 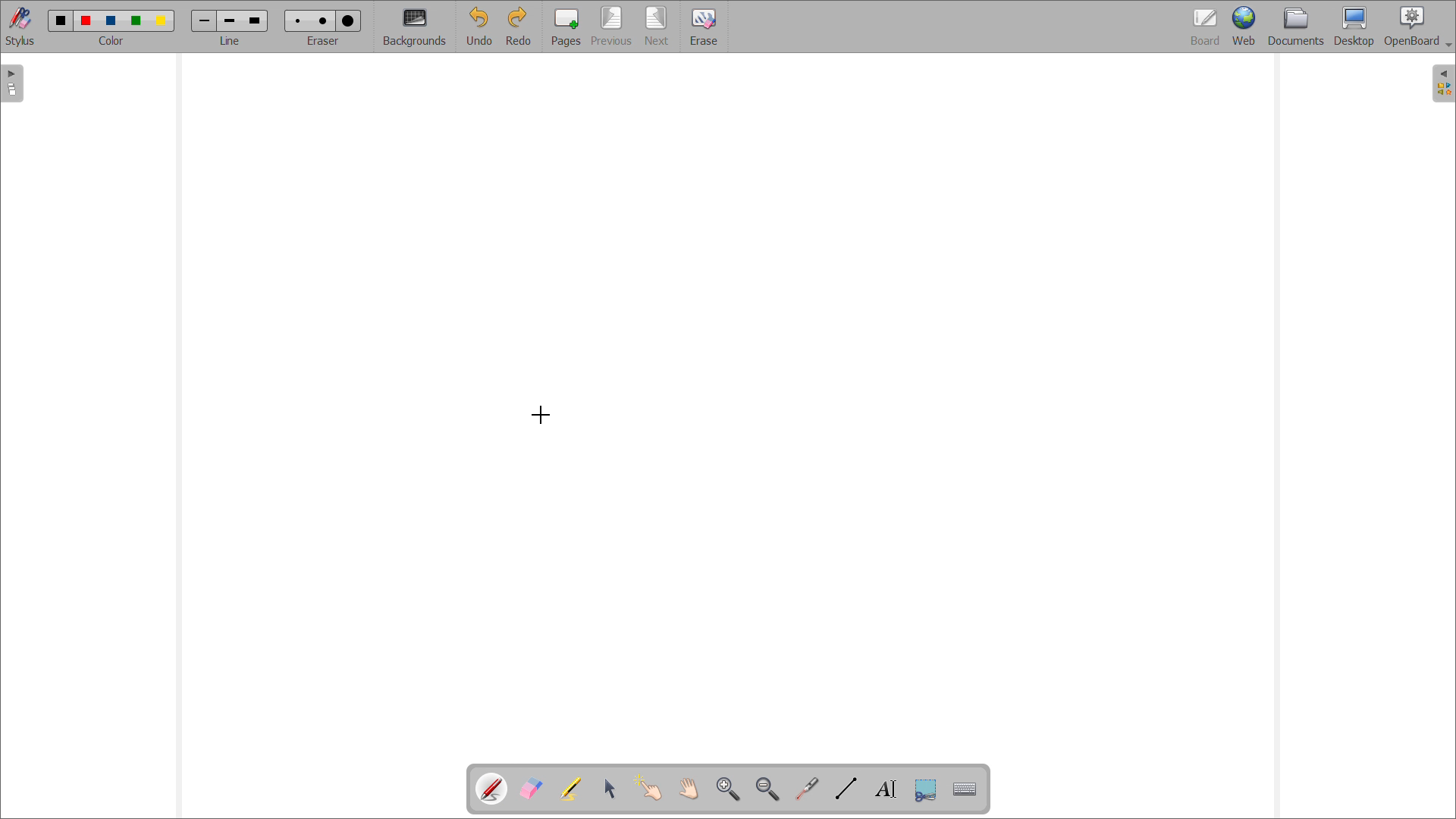 What do you see at coordinates (846, 789) in the screenshot?
I see `draw lines` at bounding box center [846, 789].